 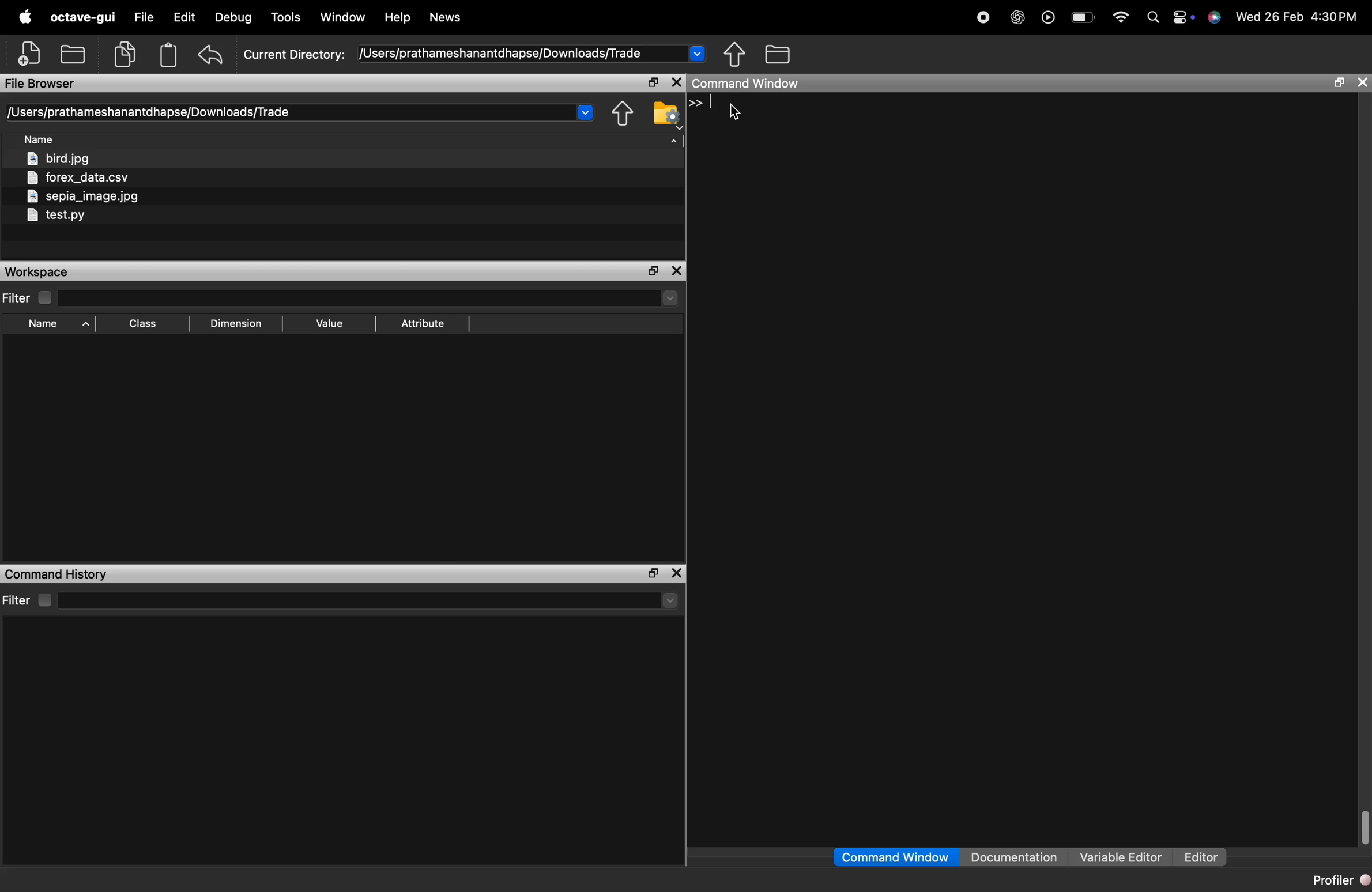 I want to click on Documentation, so click(x=1015, y=857).